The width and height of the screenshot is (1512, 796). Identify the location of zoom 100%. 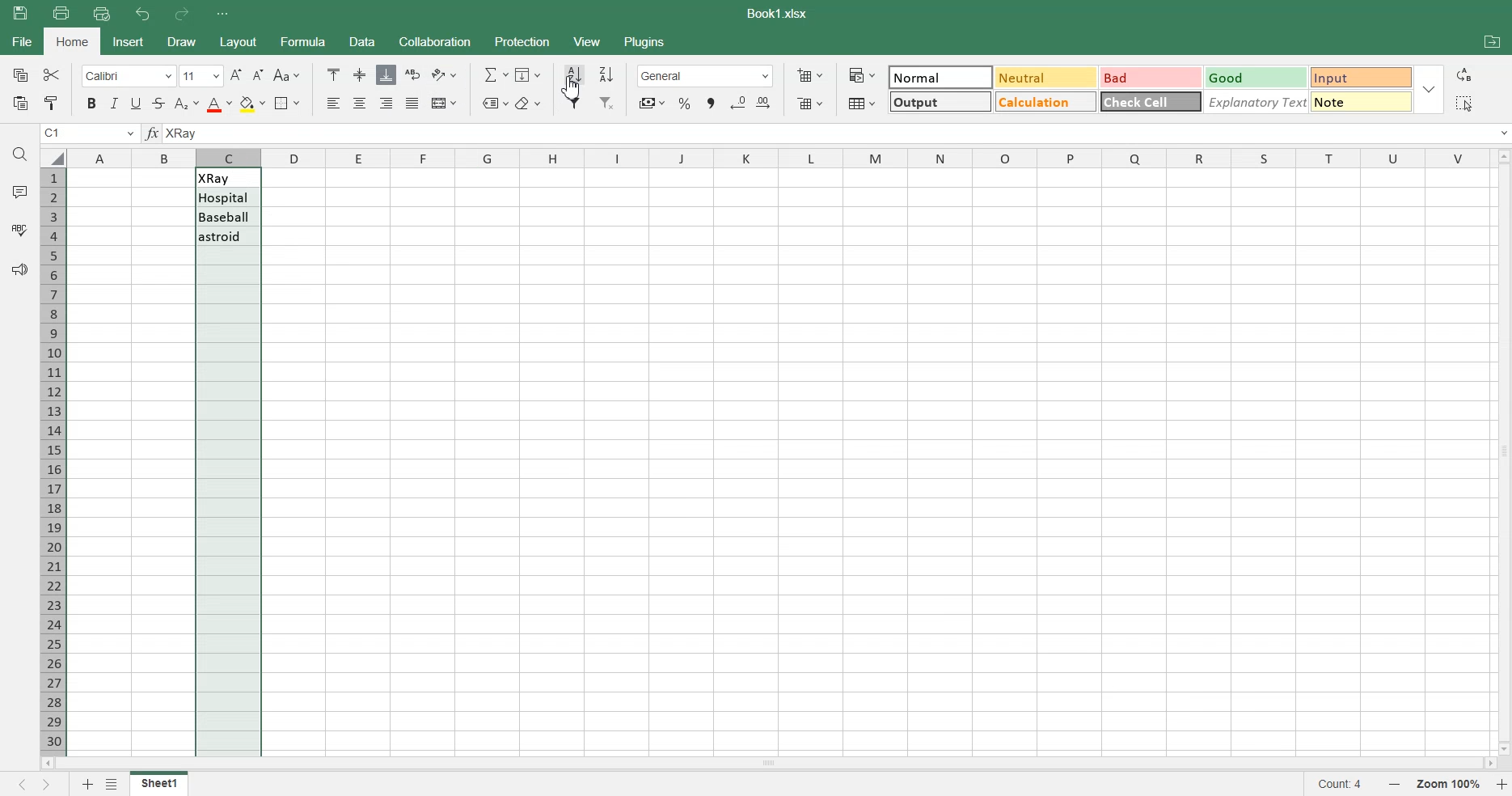
(1450, 784).